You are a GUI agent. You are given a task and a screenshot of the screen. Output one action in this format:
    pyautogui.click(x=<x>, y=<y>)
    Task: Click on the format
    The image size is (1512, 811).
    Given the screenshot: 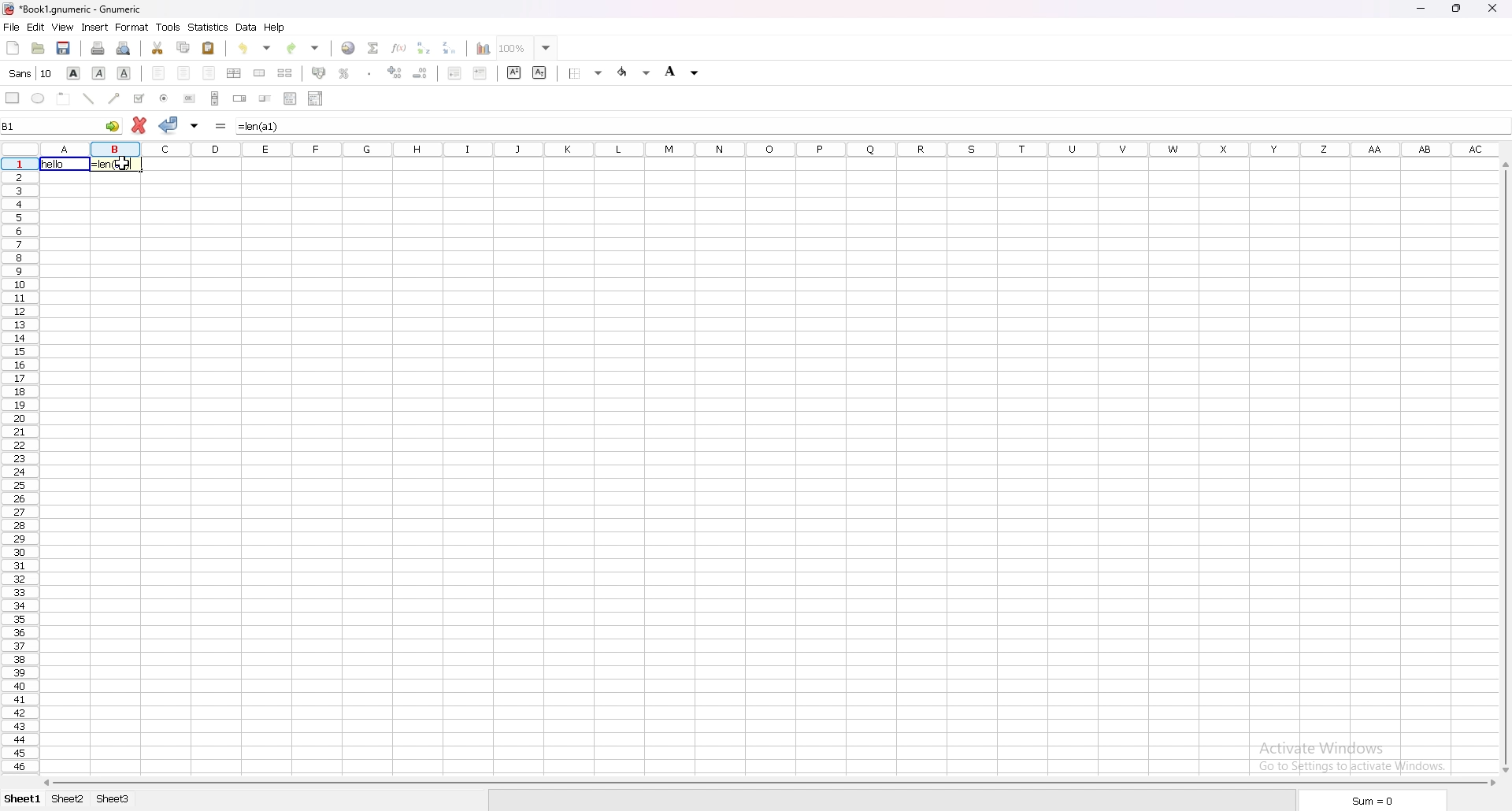 What is the action you would take?
    pyautogui.click(x=132, y=27)
    